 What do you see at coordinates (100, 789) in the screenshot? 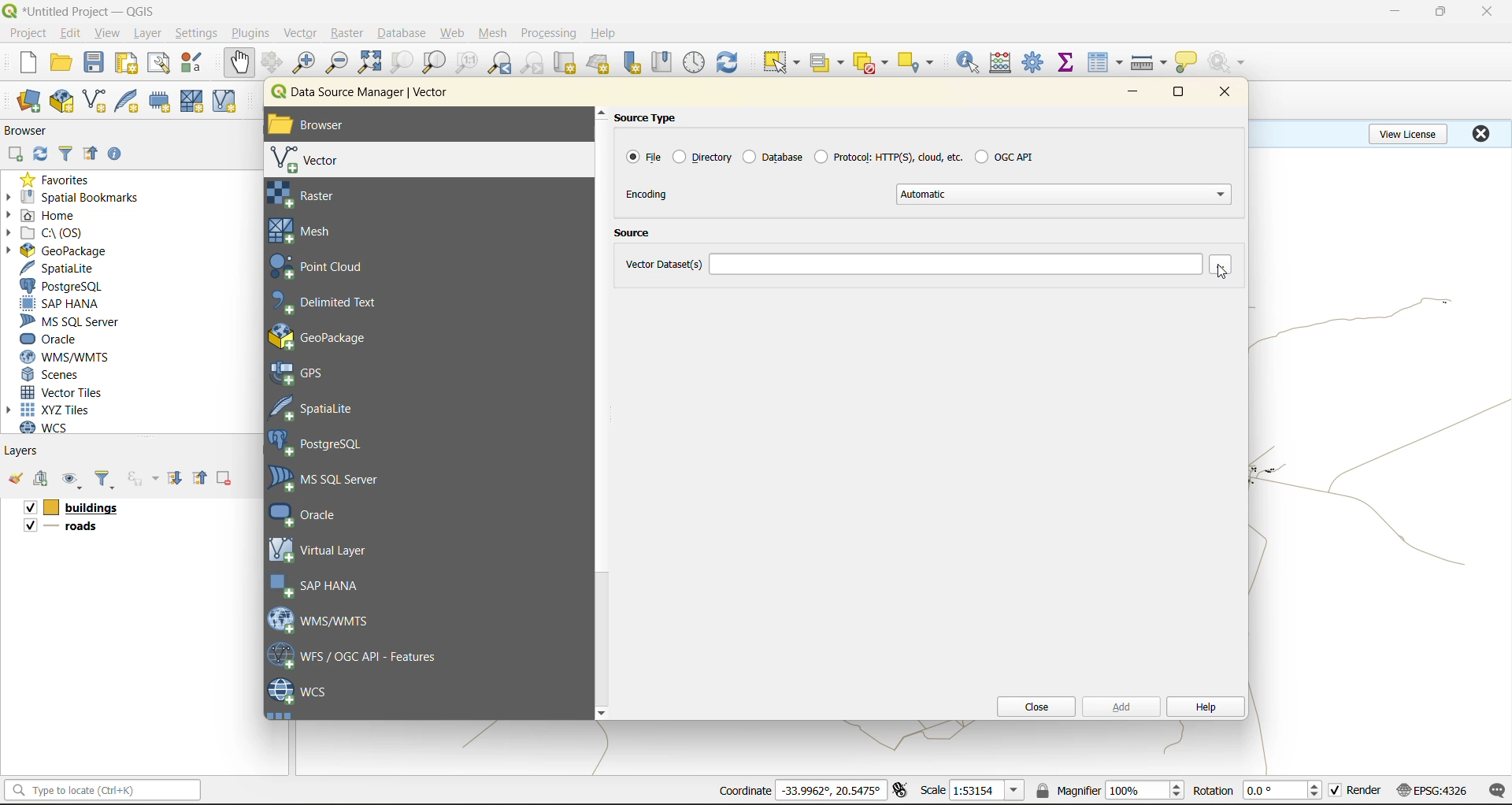
I see `status bar` at bounding box center [100, 789].